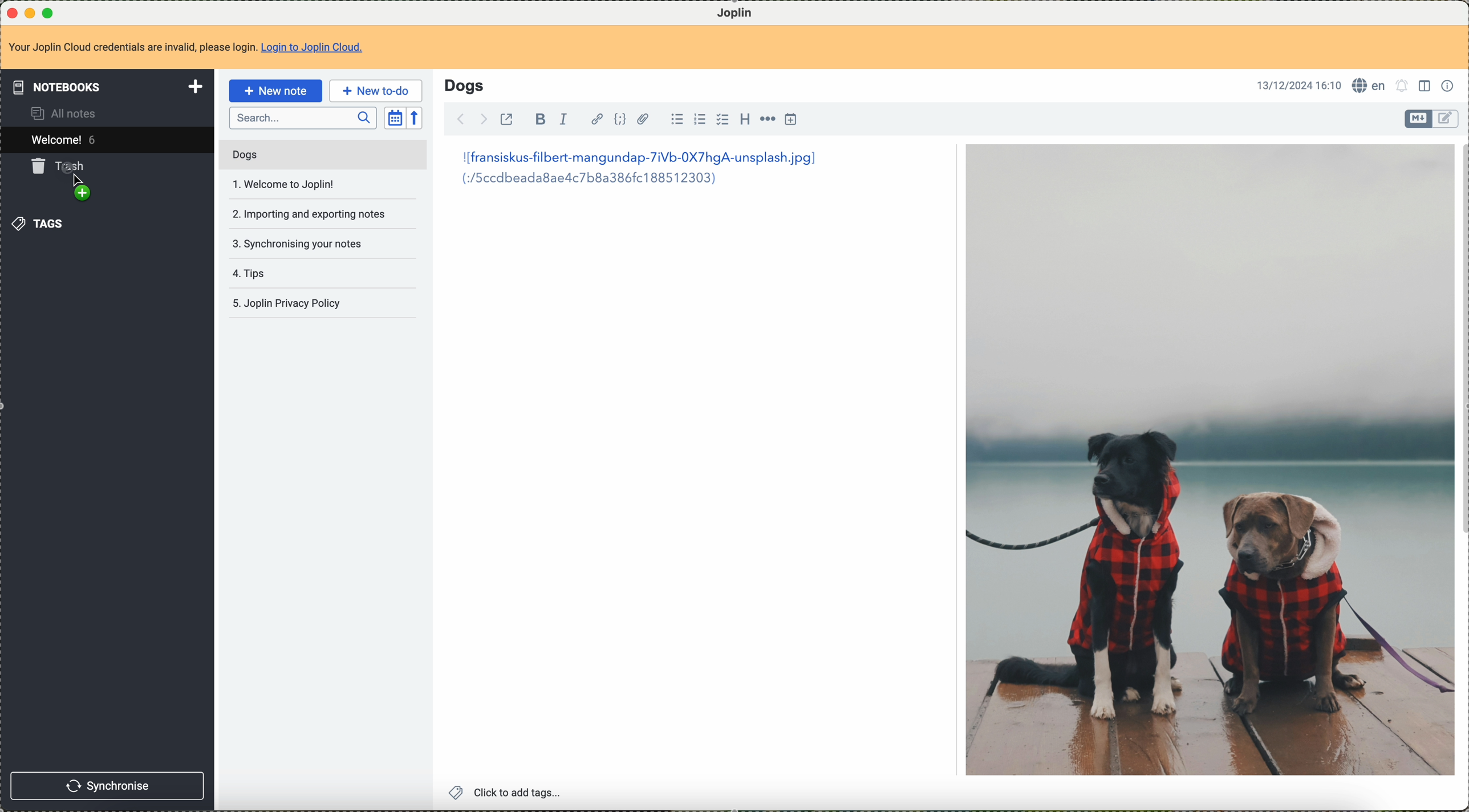 Image resolution: width=1469 pixels, height=812 pixels. What do you see at coordinates (699, 120) in the screenshot?
I see `numbered list` at bounding box center [699, 120].